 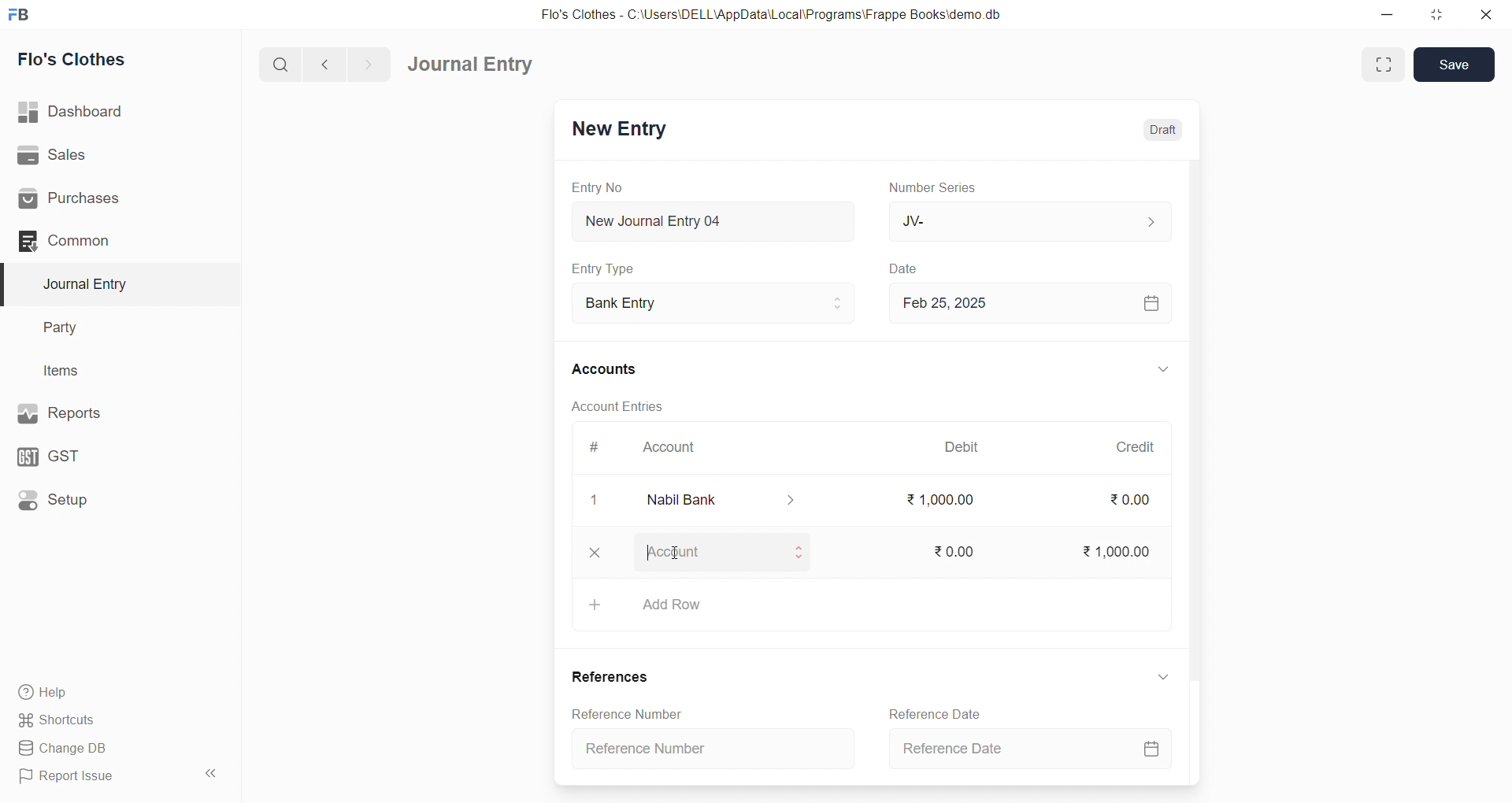 I want to click on navigate backward, so click(x=332, y=62).